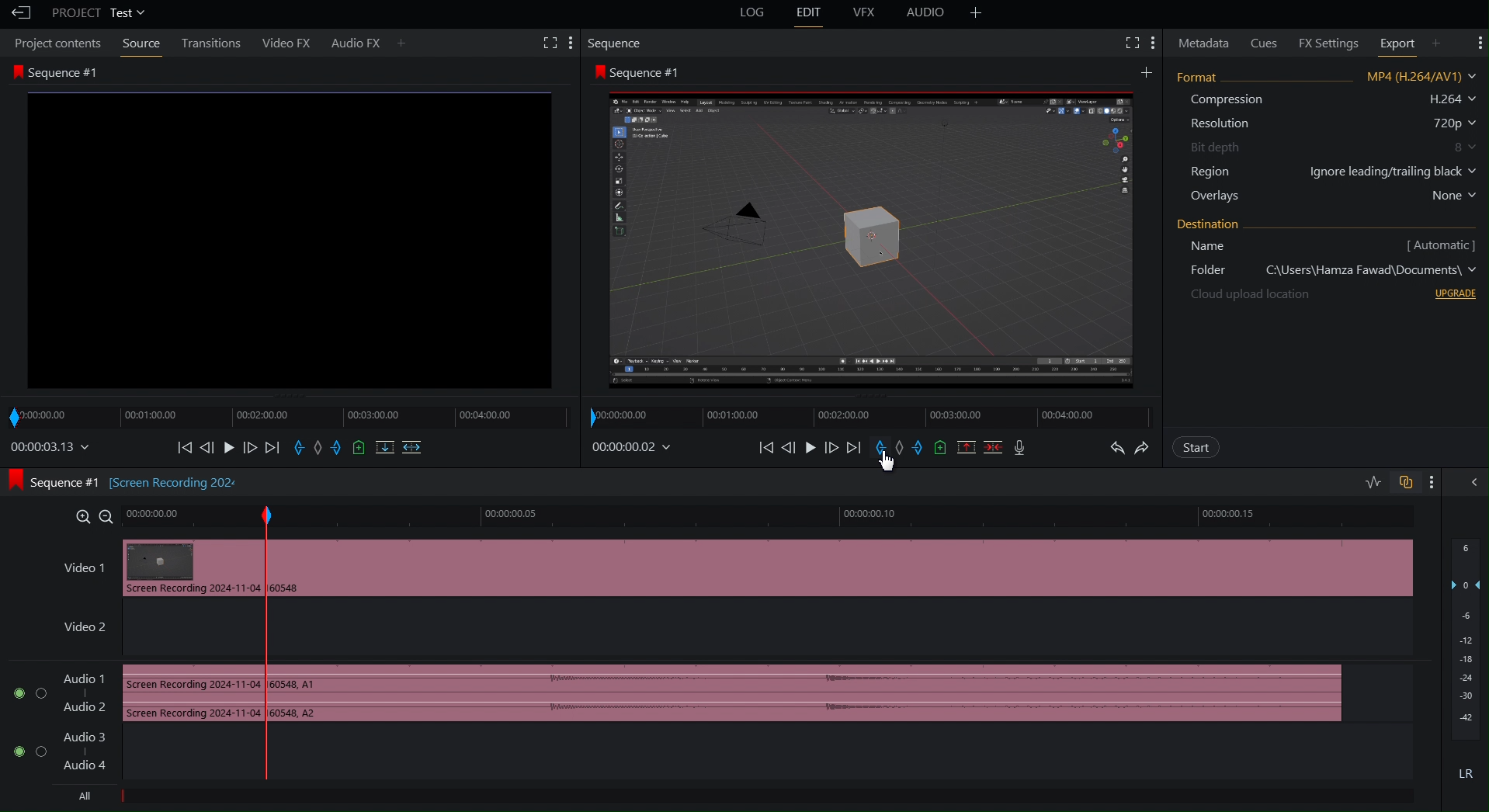 Image resolution: width=1489 pixels, height=812 pixels. I want to click on Tools, so click(552, 42).